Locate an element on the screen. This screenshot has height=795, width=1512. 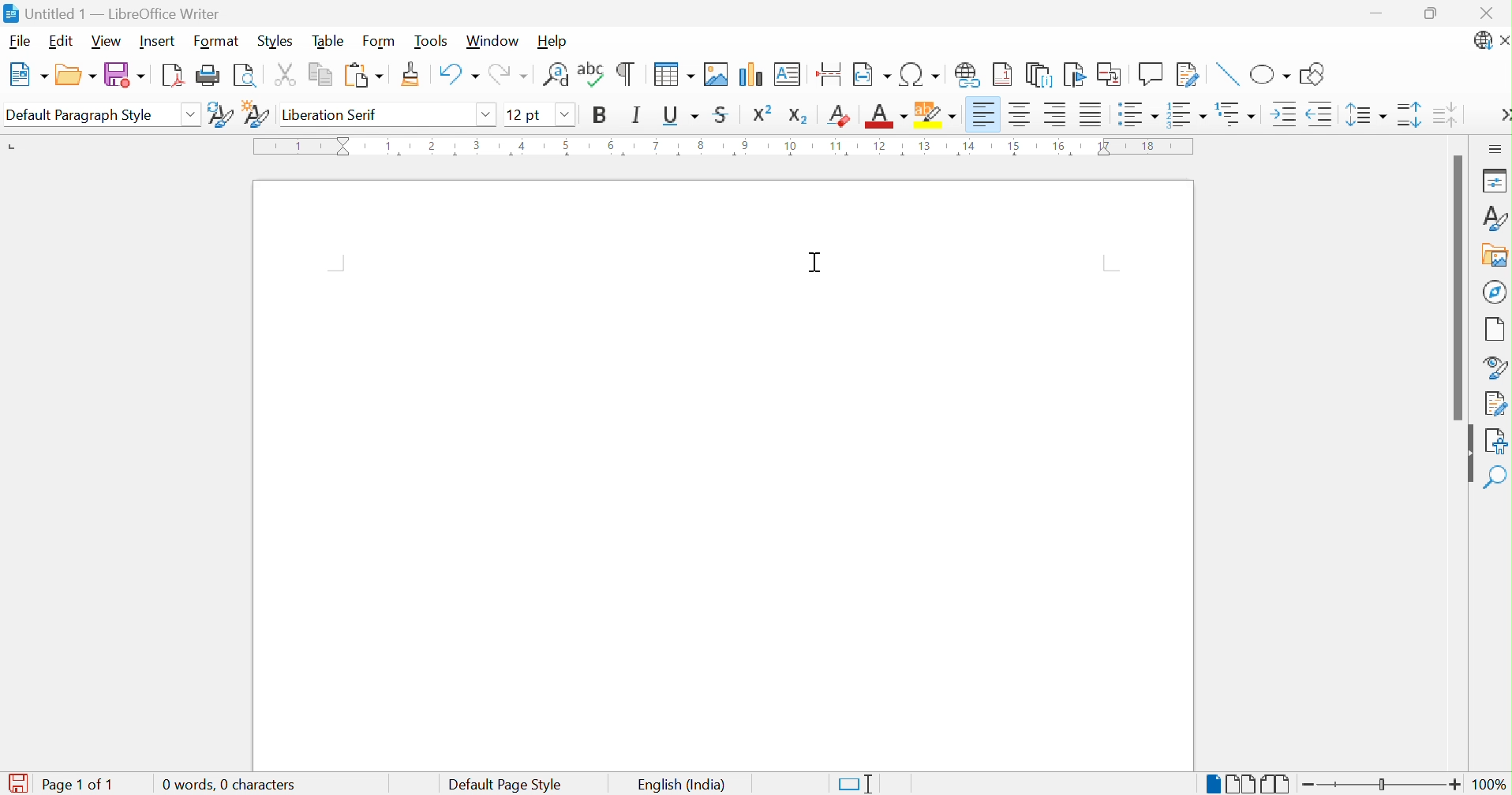
Gallery is located at coordinates (1494, 257).